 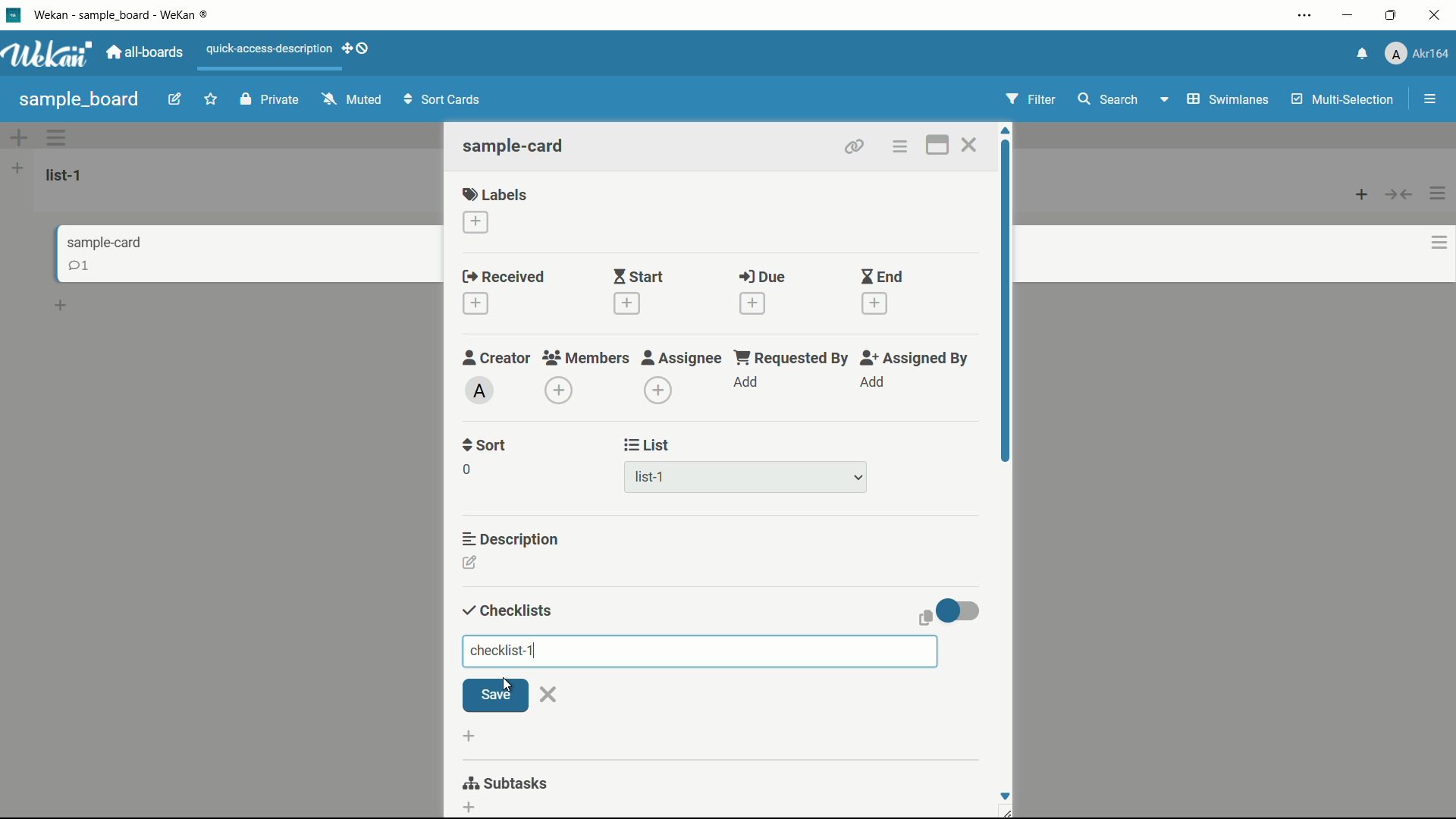 I want to click on card actions, so click(x=899, y=147).